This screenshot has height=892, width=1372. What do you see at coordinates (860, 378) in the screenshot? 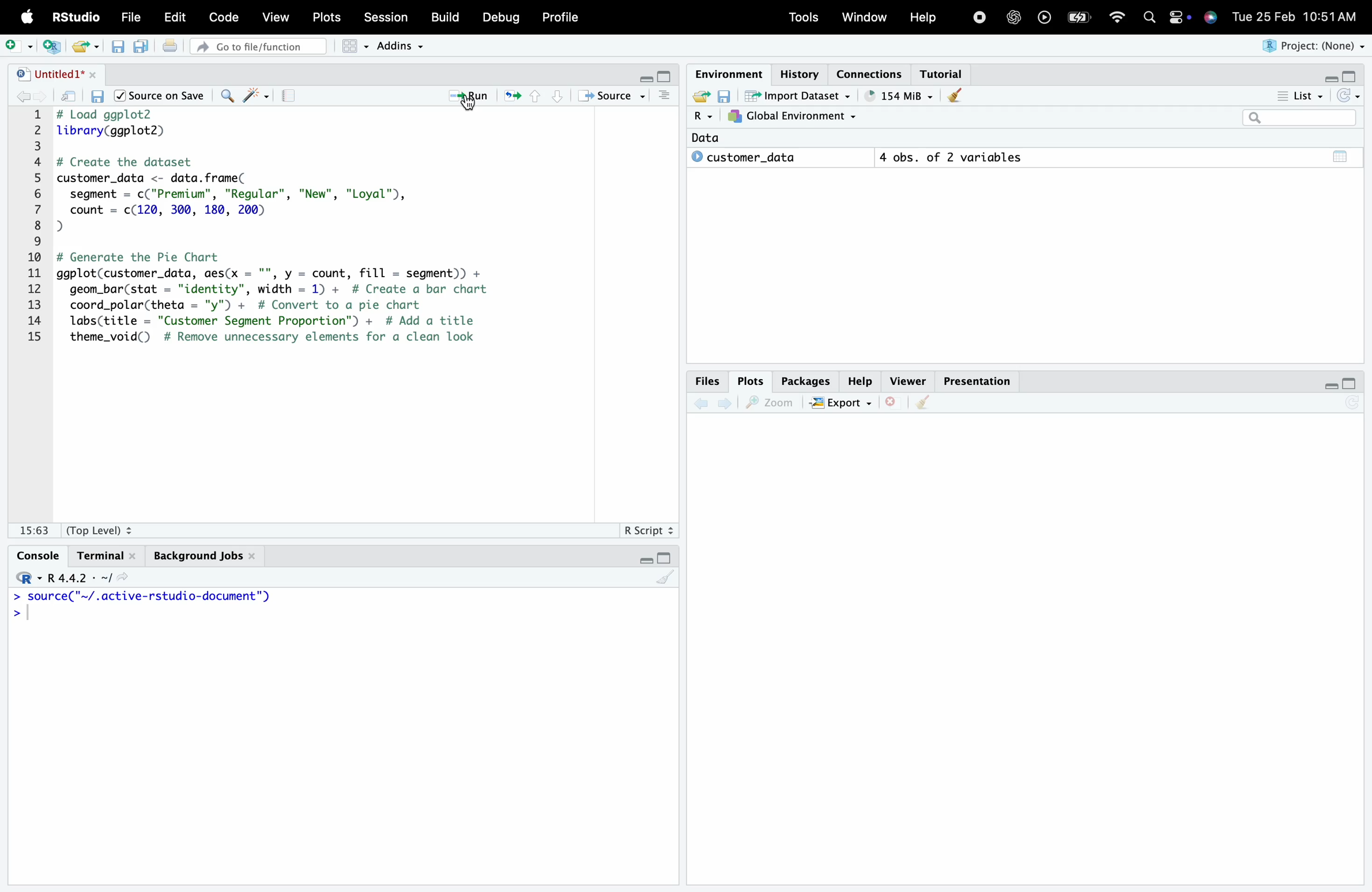
I see `Help` at bounding box center [860, 378].